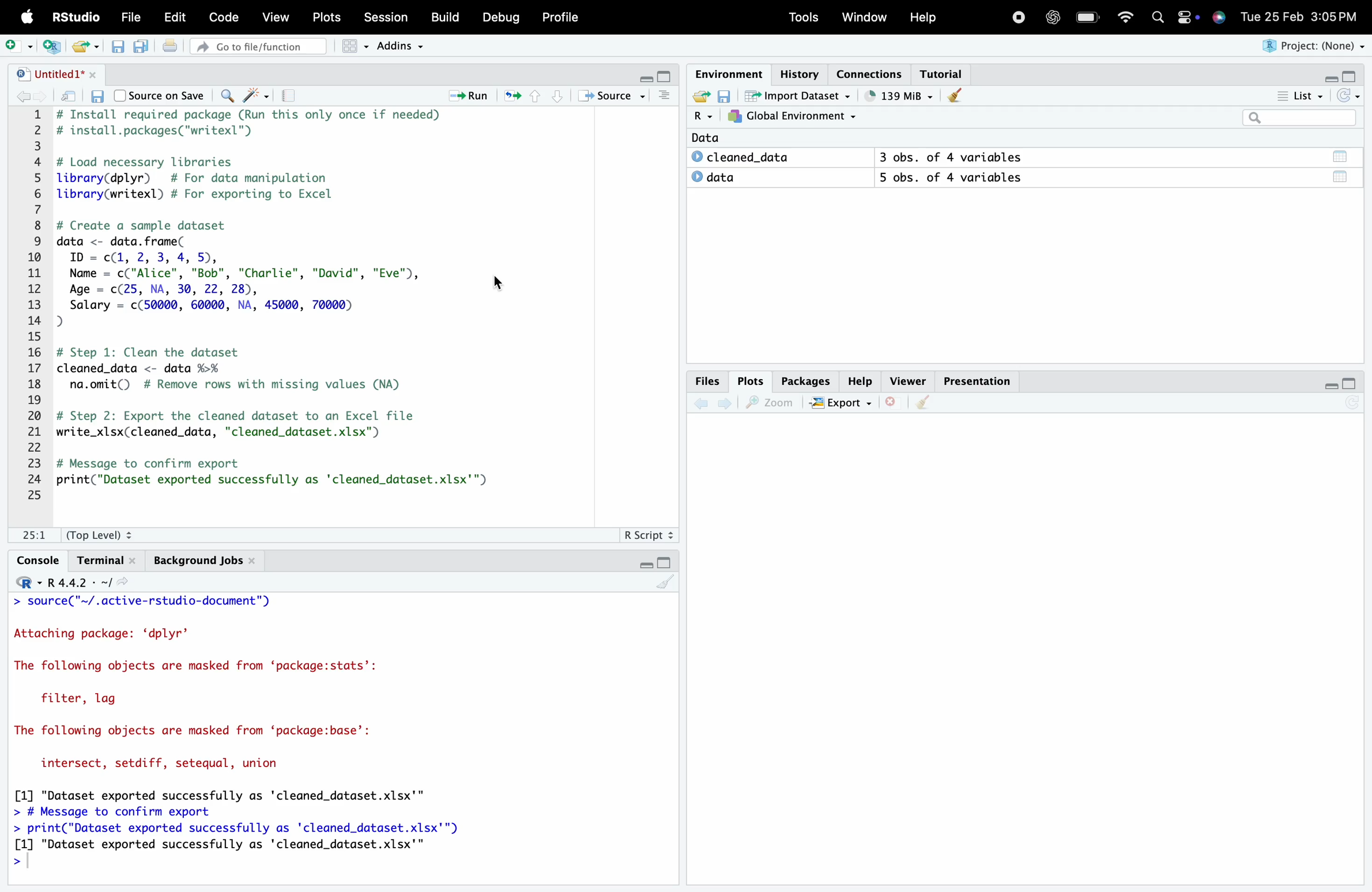  Describe the element at coordinates (1298, 17) in the screenshot. I see `Tue 25 Feb 3:05 PM` at that location.